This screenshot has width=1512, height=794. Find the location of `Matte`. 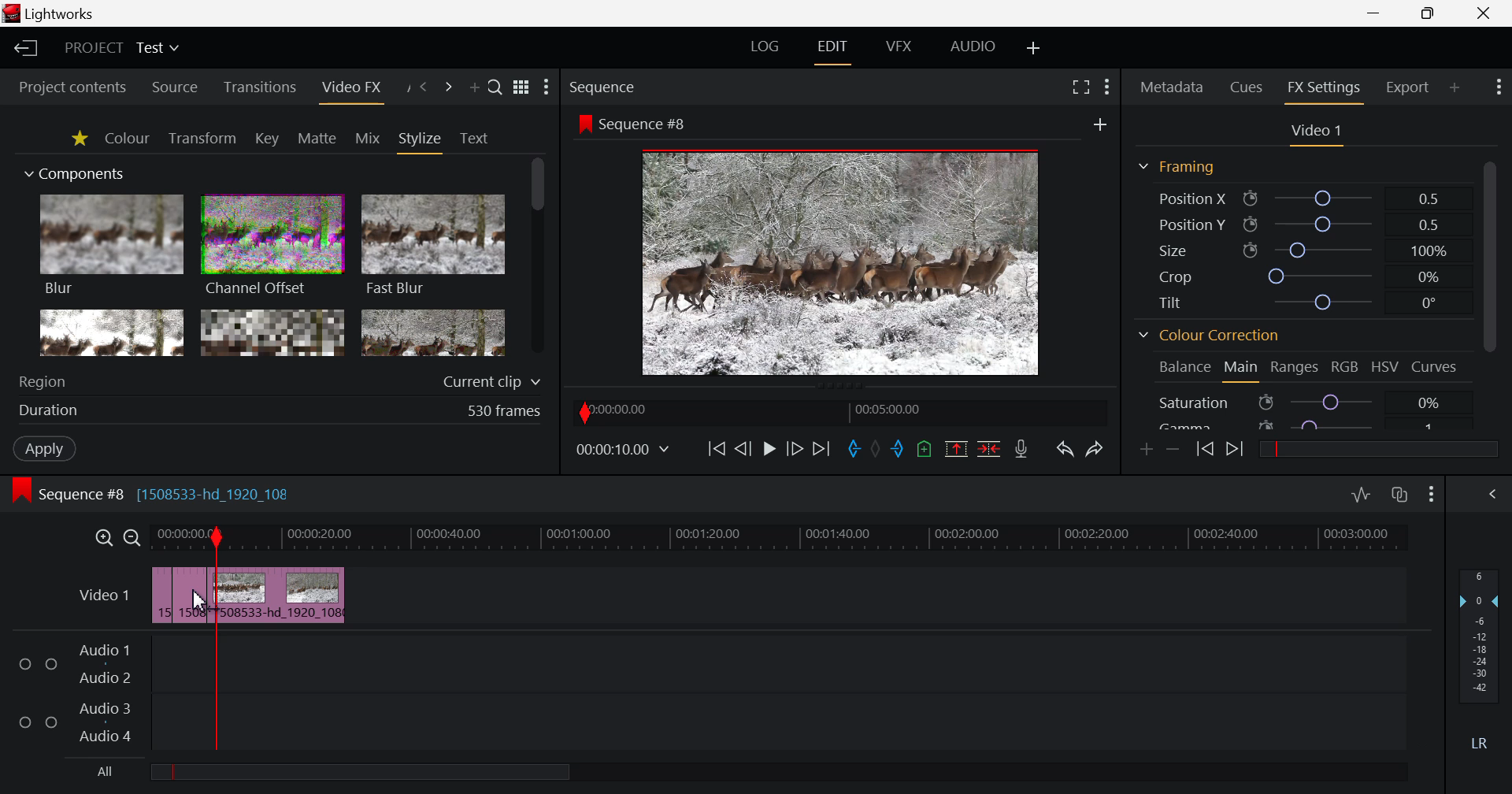

Matte is located at coordinates (317, 139).